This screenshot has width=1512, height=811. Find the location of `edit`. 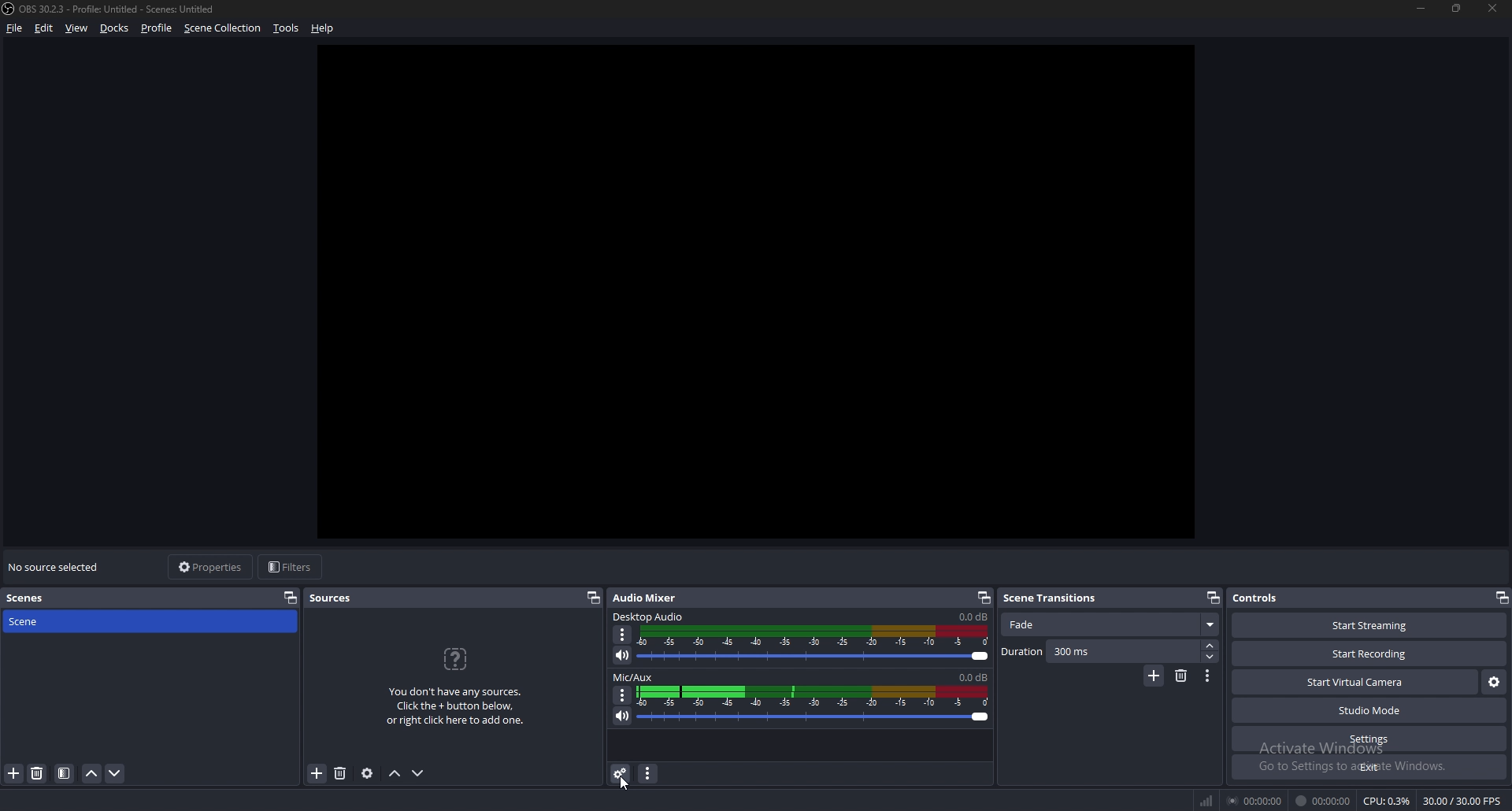

edit is located at coordinates (43, 28).